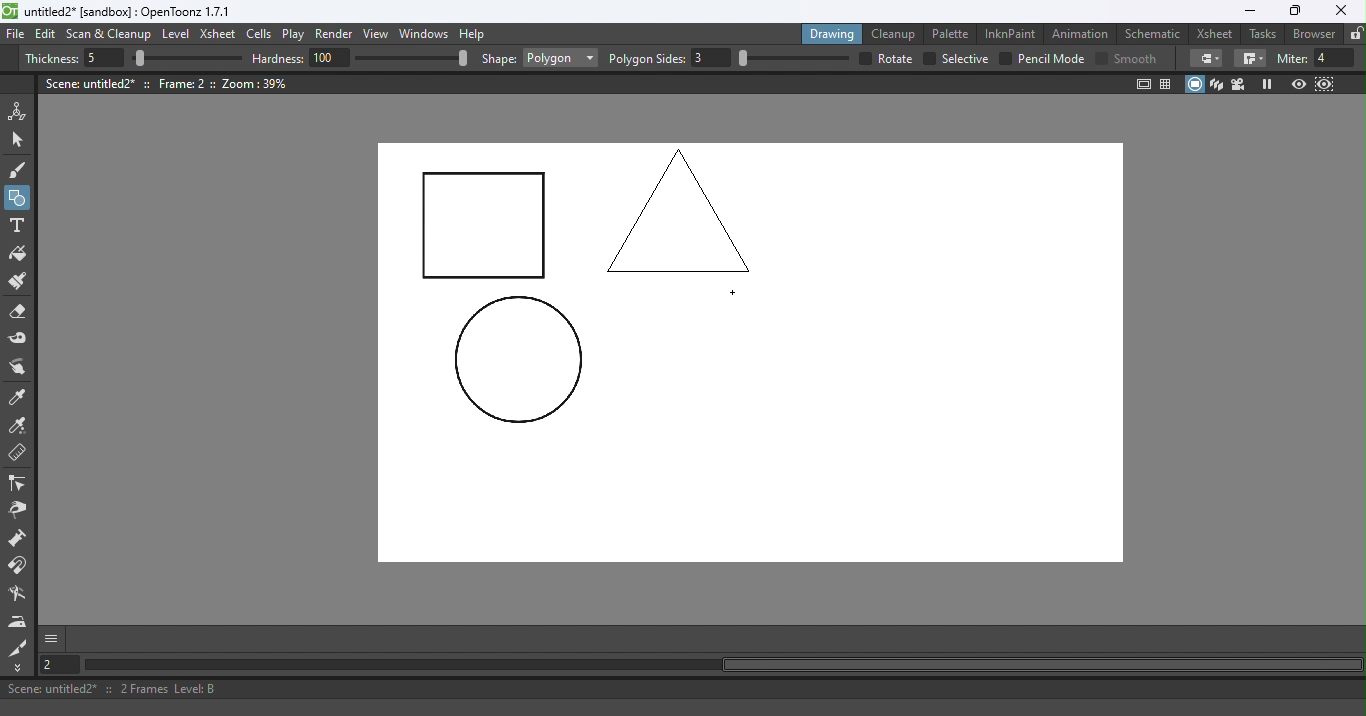 Image resolution: width=1366 pixels, height=716 pixels. Describe the element at coordinates (297, 35) in the screenshot. I see `Play` at that location.